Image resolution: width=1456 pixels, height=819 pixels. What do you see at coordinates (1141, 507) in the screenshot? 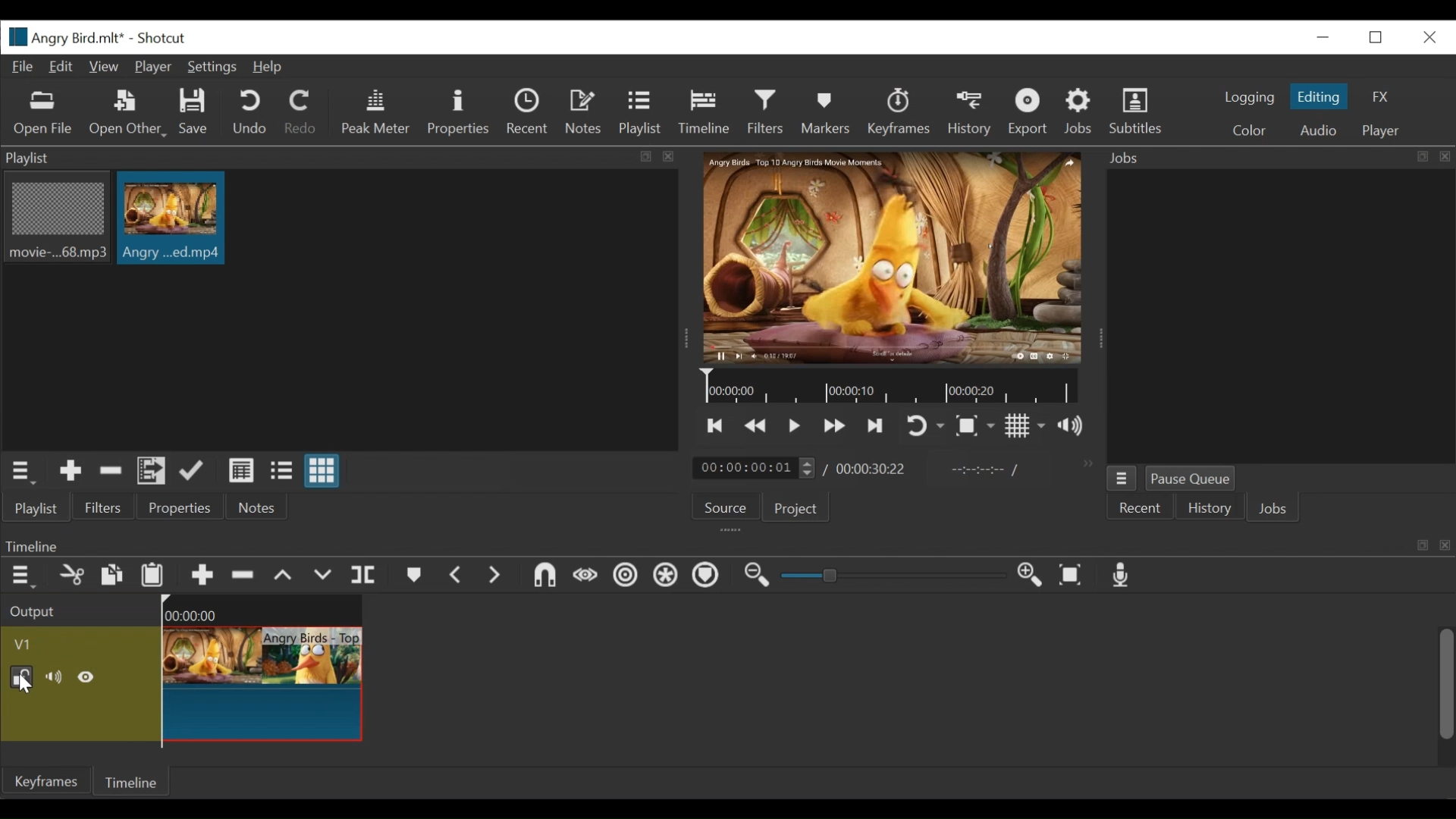
I see `Recent` at bounding box center [1141, 507].